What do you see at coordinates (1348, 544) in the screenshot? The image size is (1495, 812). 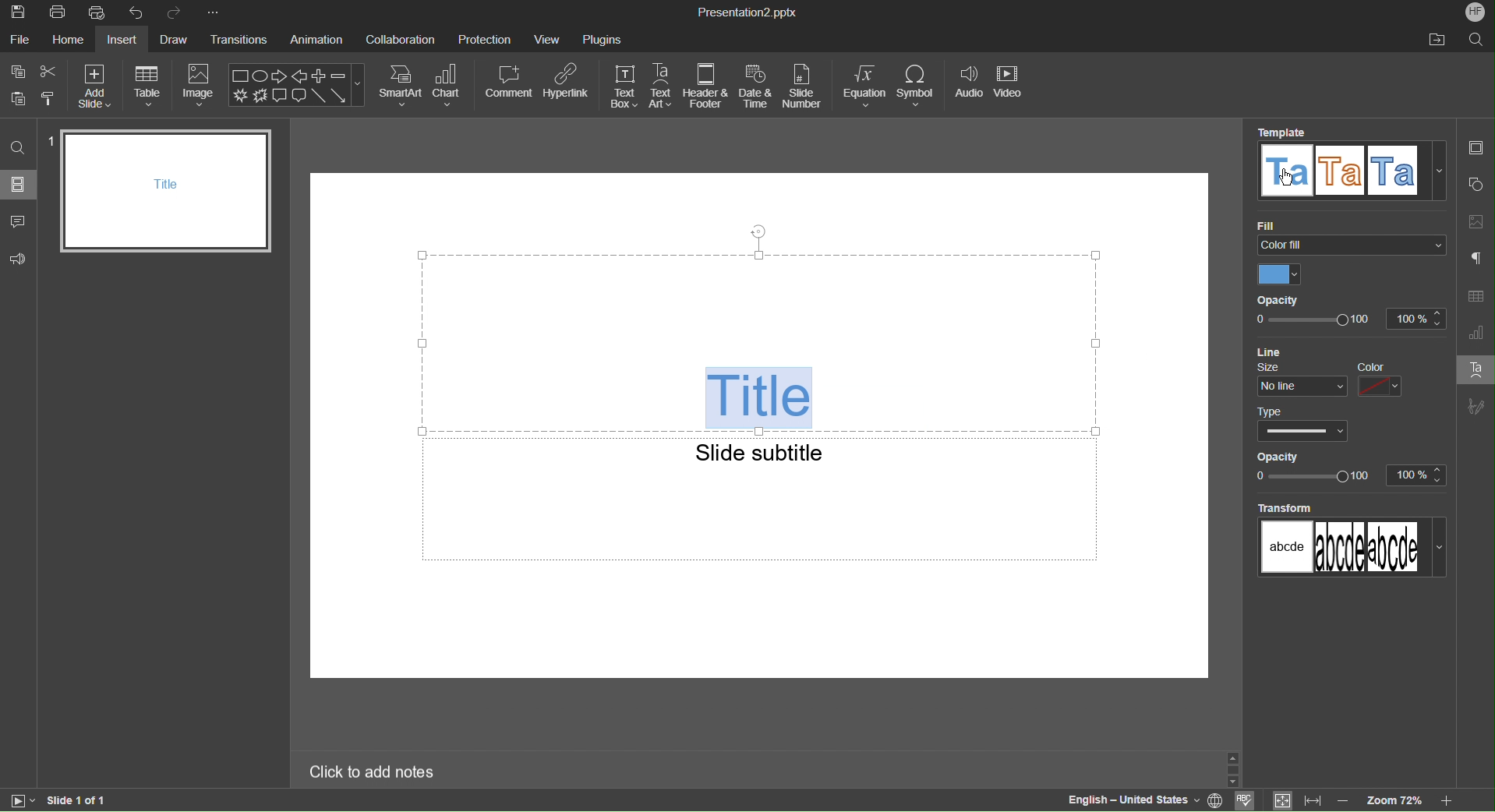 I see `Transform` at bounding box center [1348, 544].